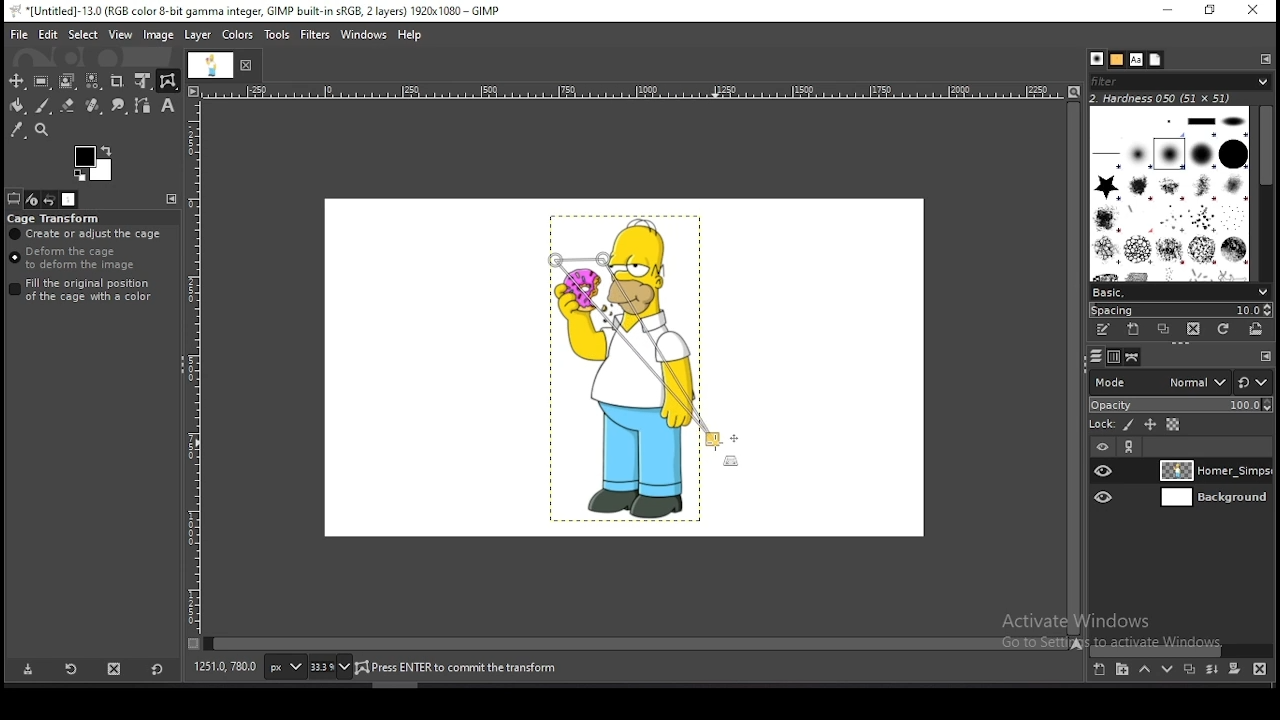 This screenshot has width=1280, height=720. Describe the element at coordinates (72, 670) in the screenshot. I see `restore tool preset` at that location.